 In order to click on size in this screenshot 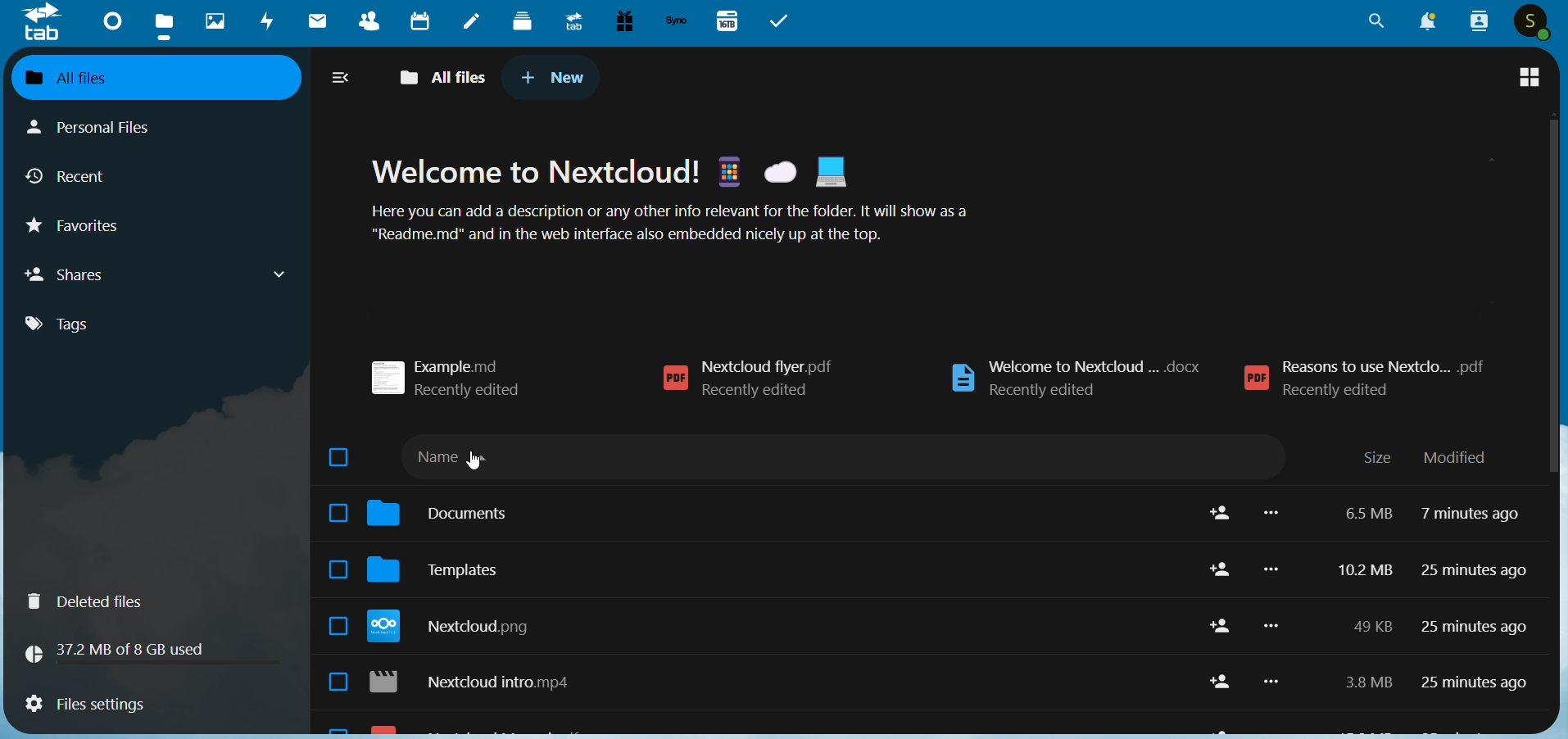, I will do `click(1380, 456)`.